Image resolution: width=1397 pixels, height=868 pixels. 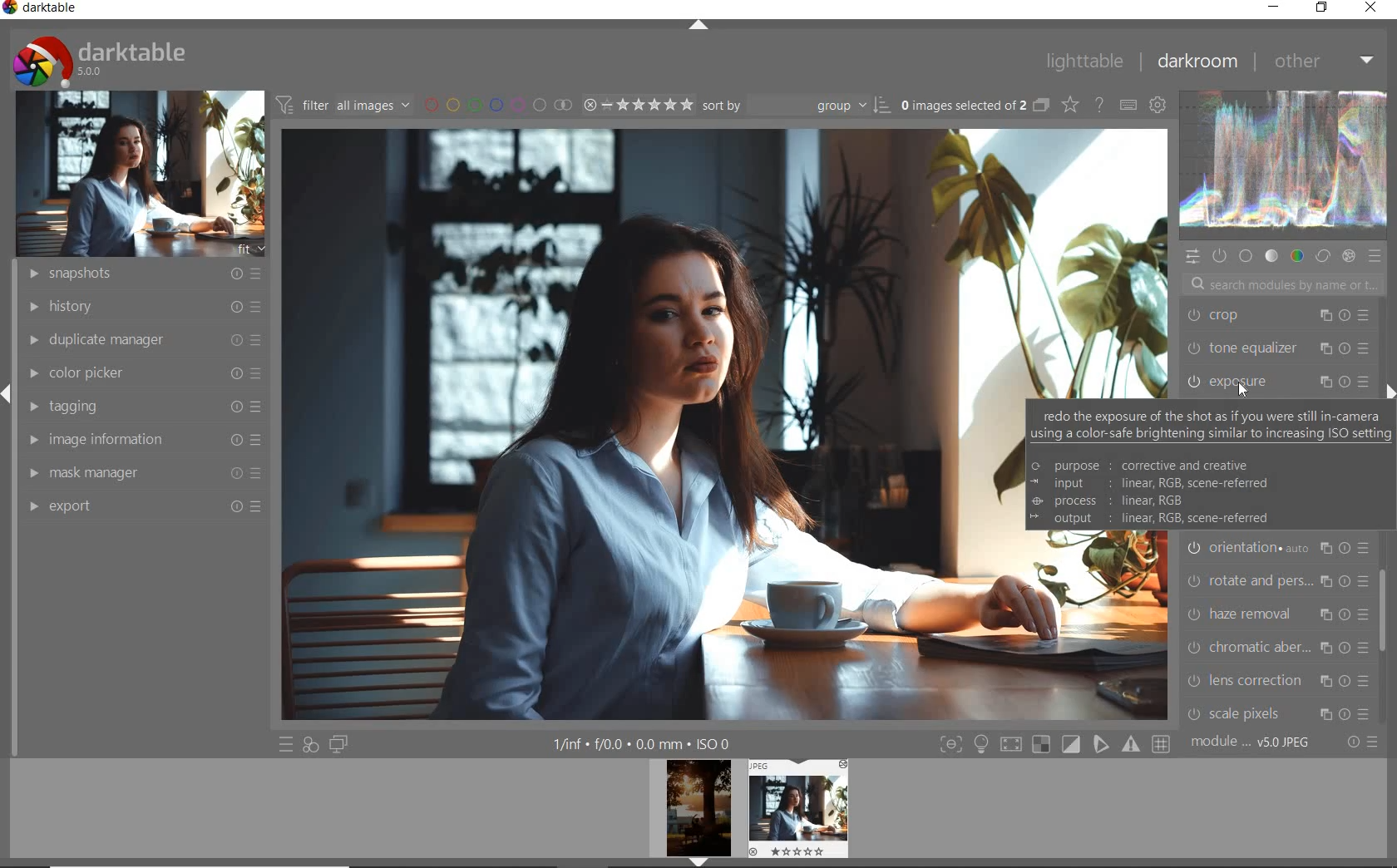 What do you see at coordinates (98, 59) in the screenshot?
I see `SYSTEM LOGO & NAME` at bounding box center [98, 59].